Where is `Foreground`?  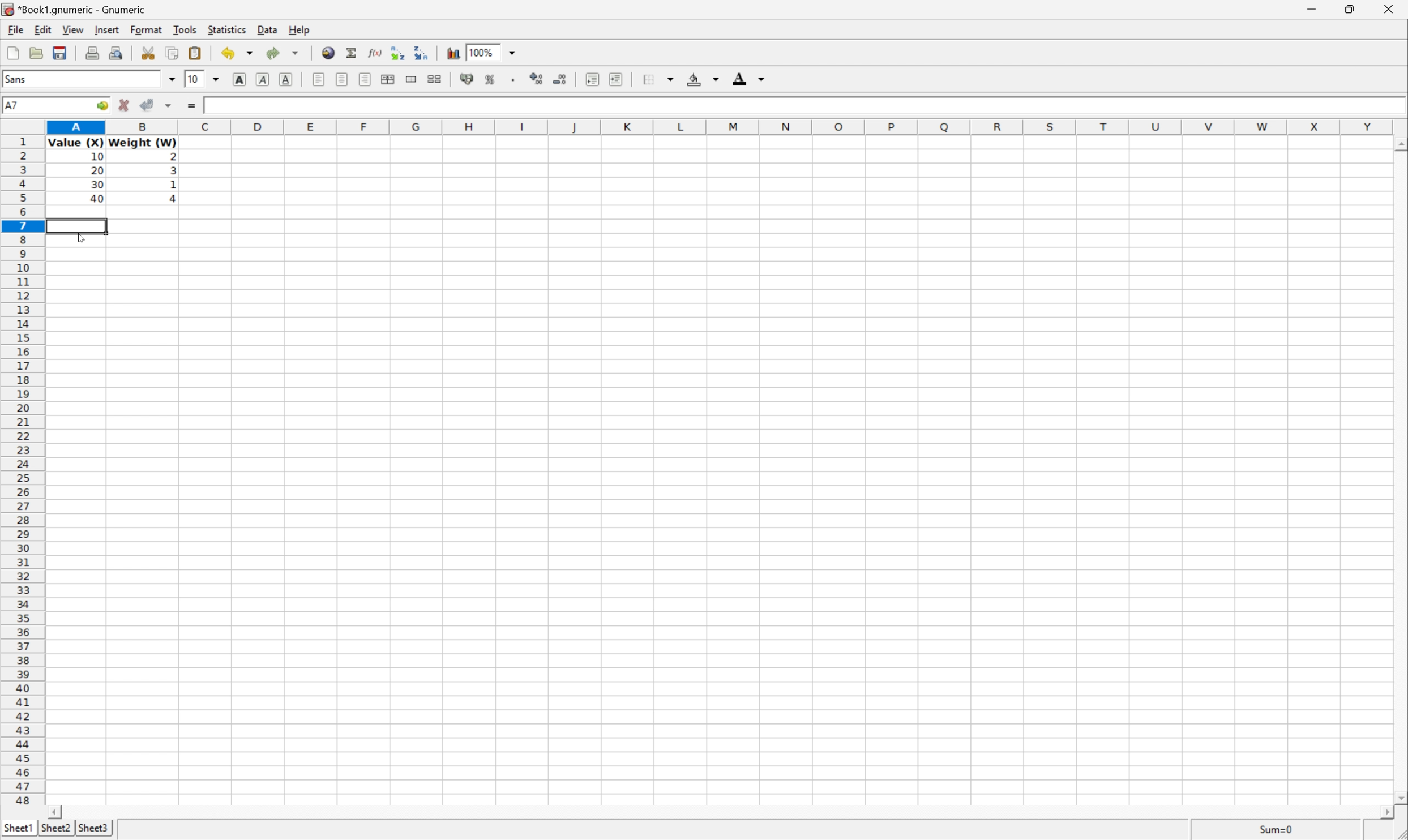
Foreground is located at coordinates (752, 78).